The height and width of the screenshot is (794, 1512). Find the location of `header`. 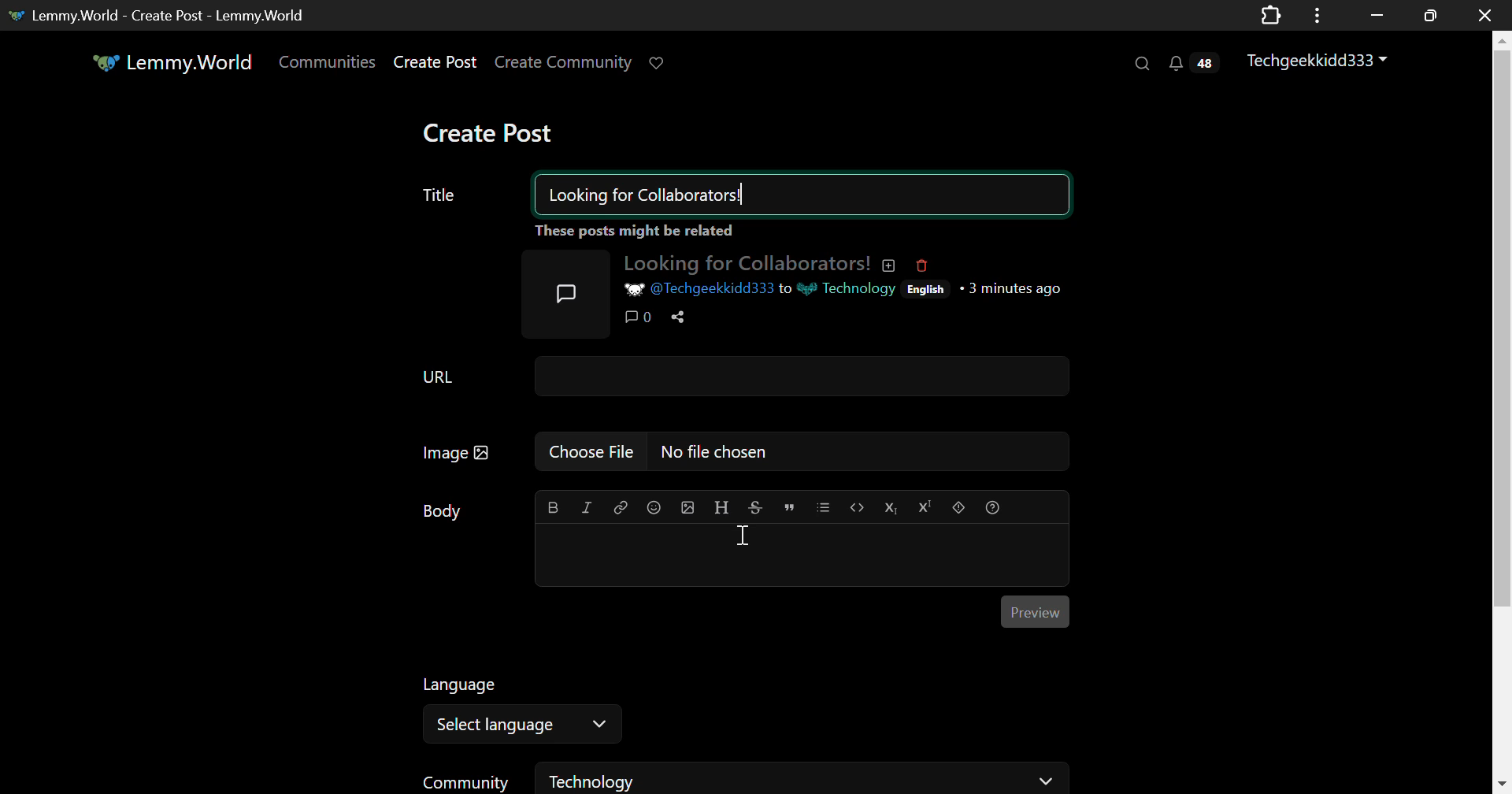

header is located at coordinates (722, 508).